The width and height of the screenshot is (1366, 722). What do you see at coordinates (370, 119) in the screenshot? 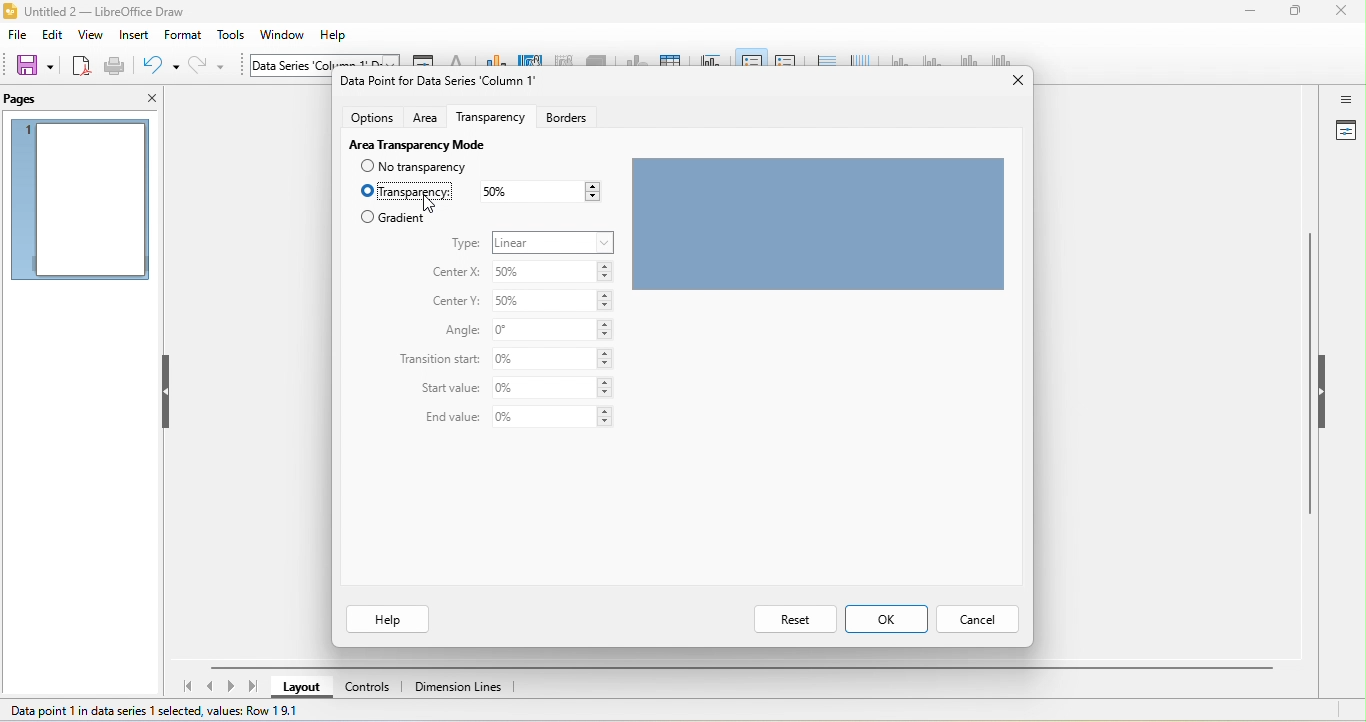
I see `options` at bounding box center [370, 119].